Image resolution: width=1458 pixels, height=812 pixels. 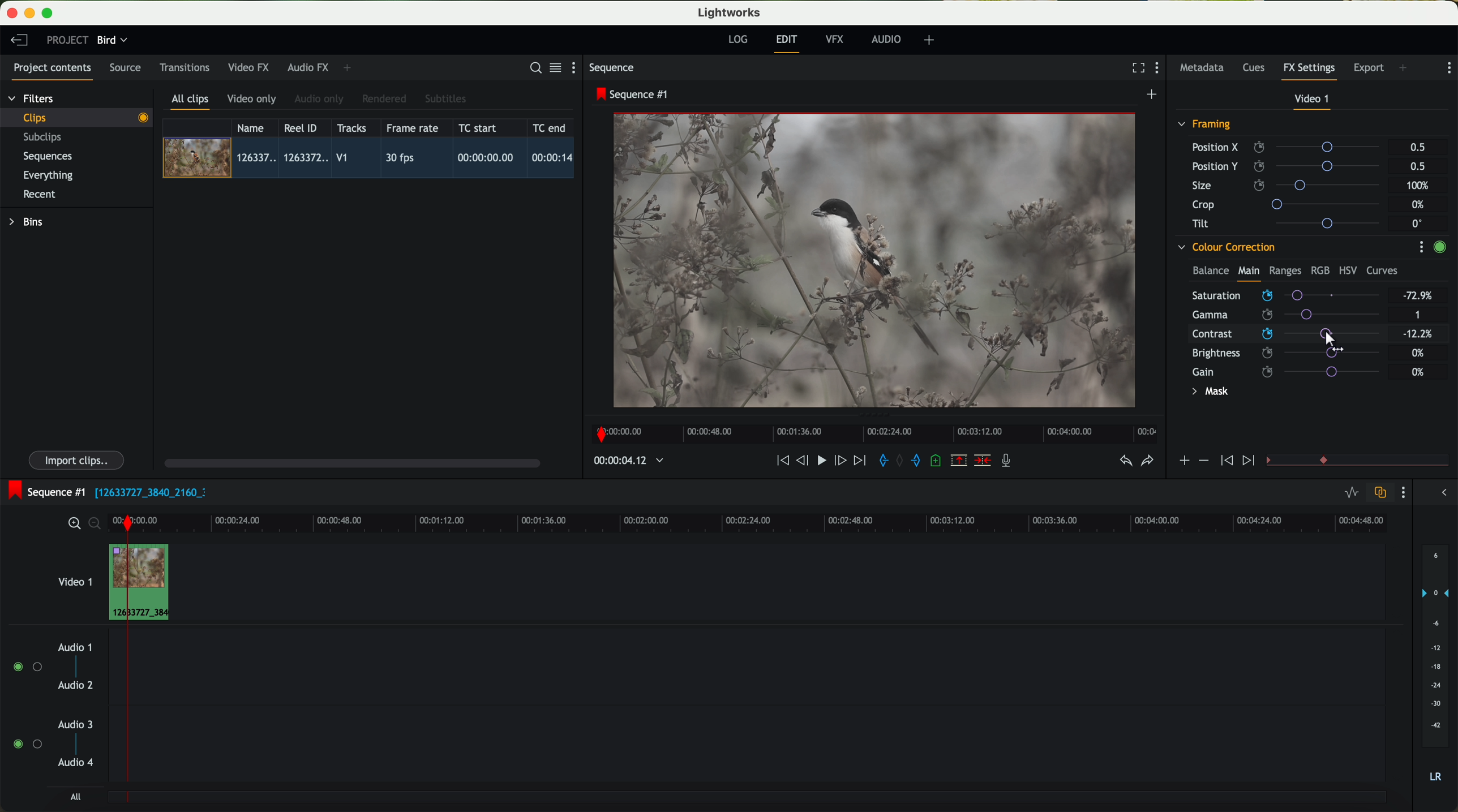 I want to click on sequences, so click(x=48, y=157).